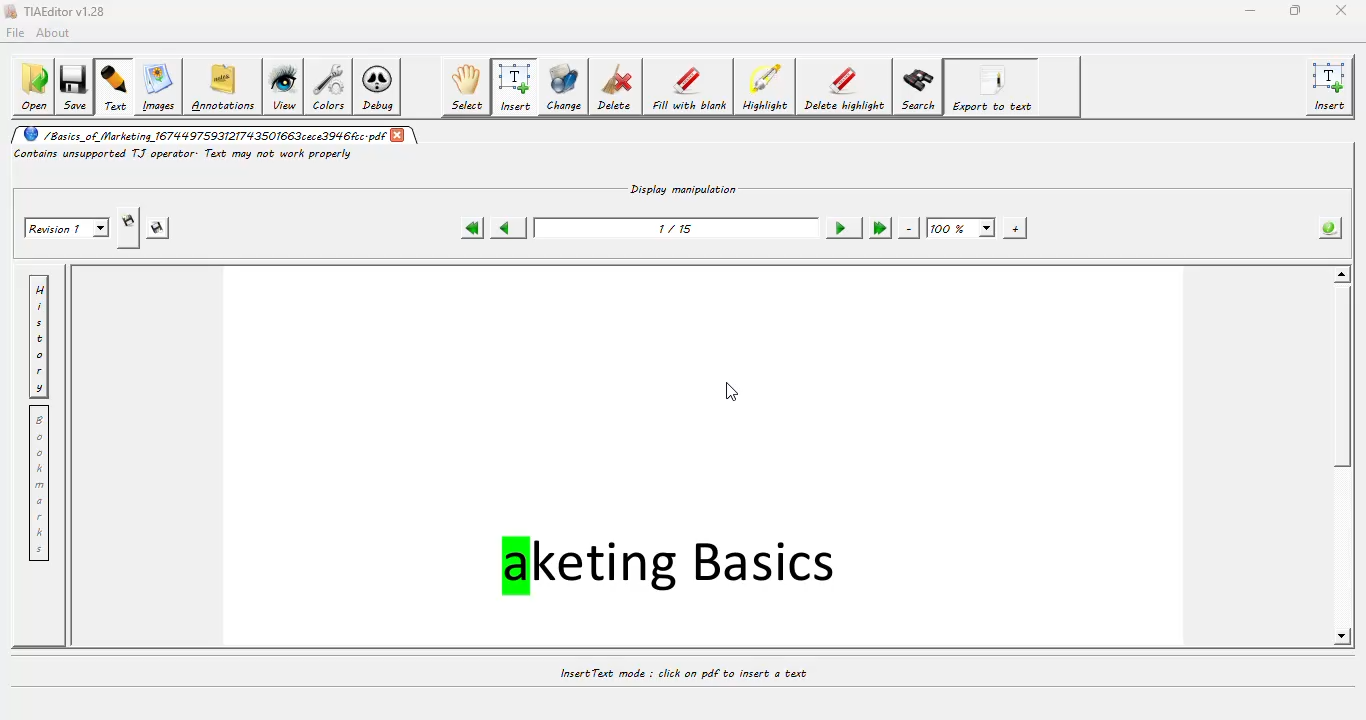 The height and width of the screenshot is (720, 1366). Describe the element at coordinates (42, 335) in the screenshot. I see `history` at that location.